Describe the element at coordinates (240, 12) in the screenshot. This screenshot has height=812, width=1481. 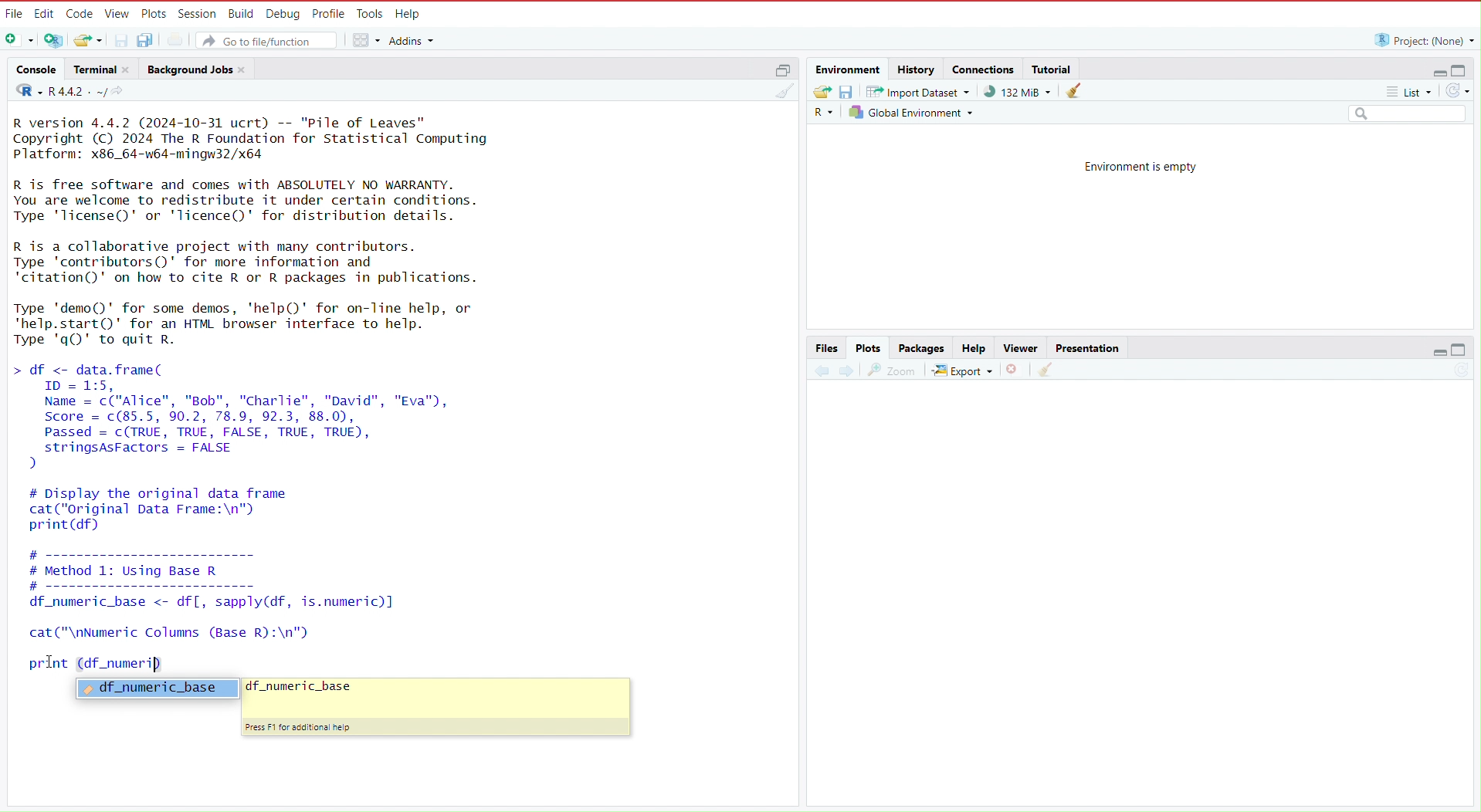
I see `Build` at that location.